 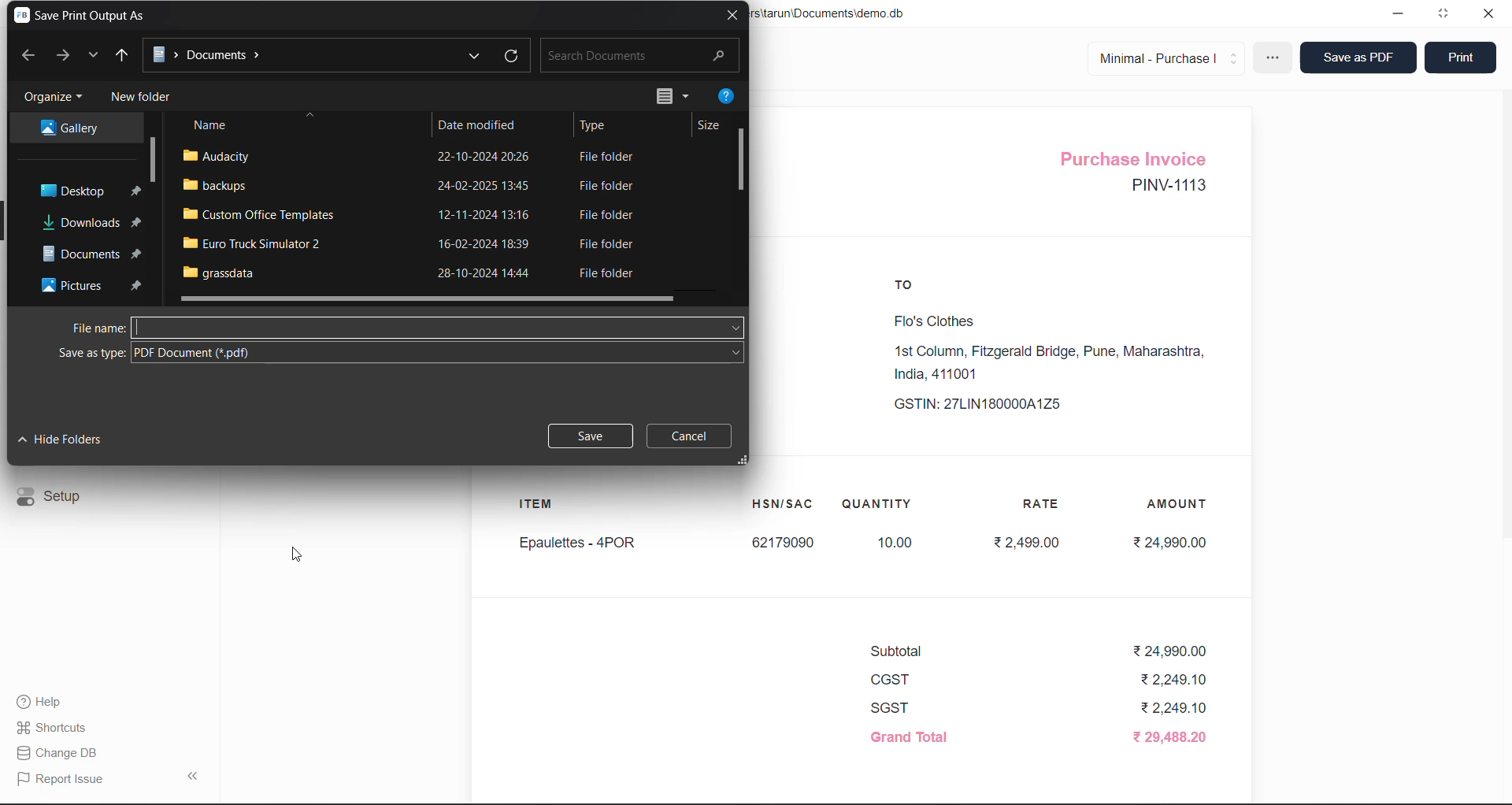 What do you see at coordinates (897, 542) in the screenshot?
I see `10.00` at bounding box center [897, 542].